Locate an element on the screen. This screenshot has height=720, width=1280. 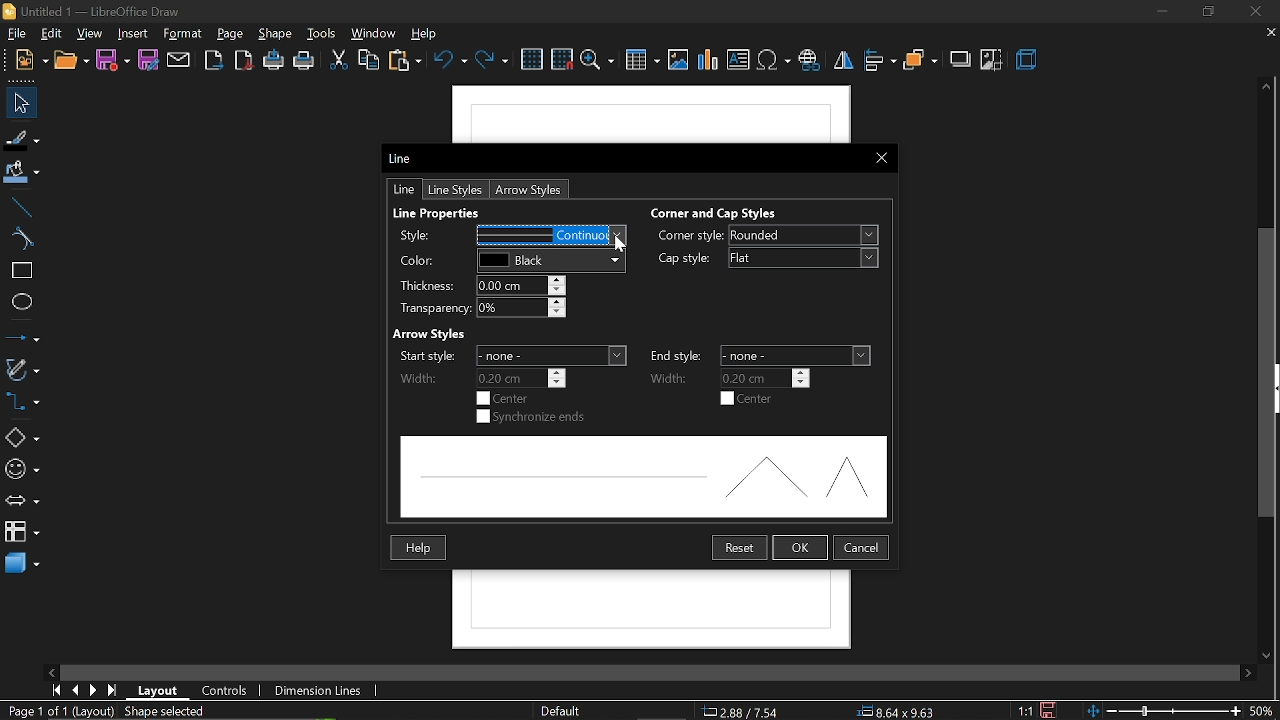
flip is located at coordinates (842, 59).